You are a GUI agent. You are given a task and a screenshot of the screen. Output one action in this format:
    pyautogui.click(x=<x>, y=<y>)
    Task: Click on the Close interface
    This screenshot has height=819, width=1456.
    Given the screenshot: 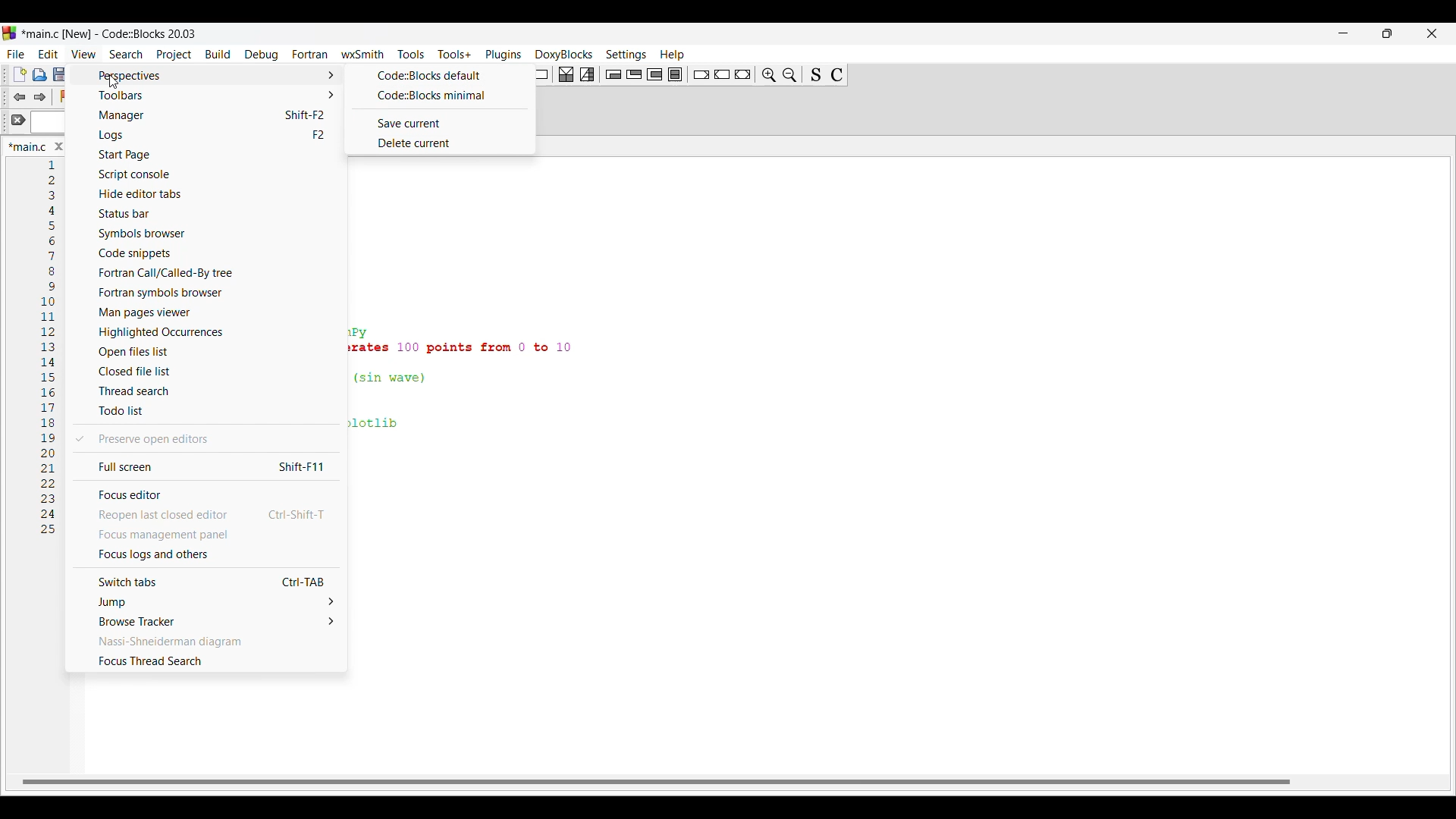 What is the action you would take?
    pyautogui.click(x=1432, y=33)
    